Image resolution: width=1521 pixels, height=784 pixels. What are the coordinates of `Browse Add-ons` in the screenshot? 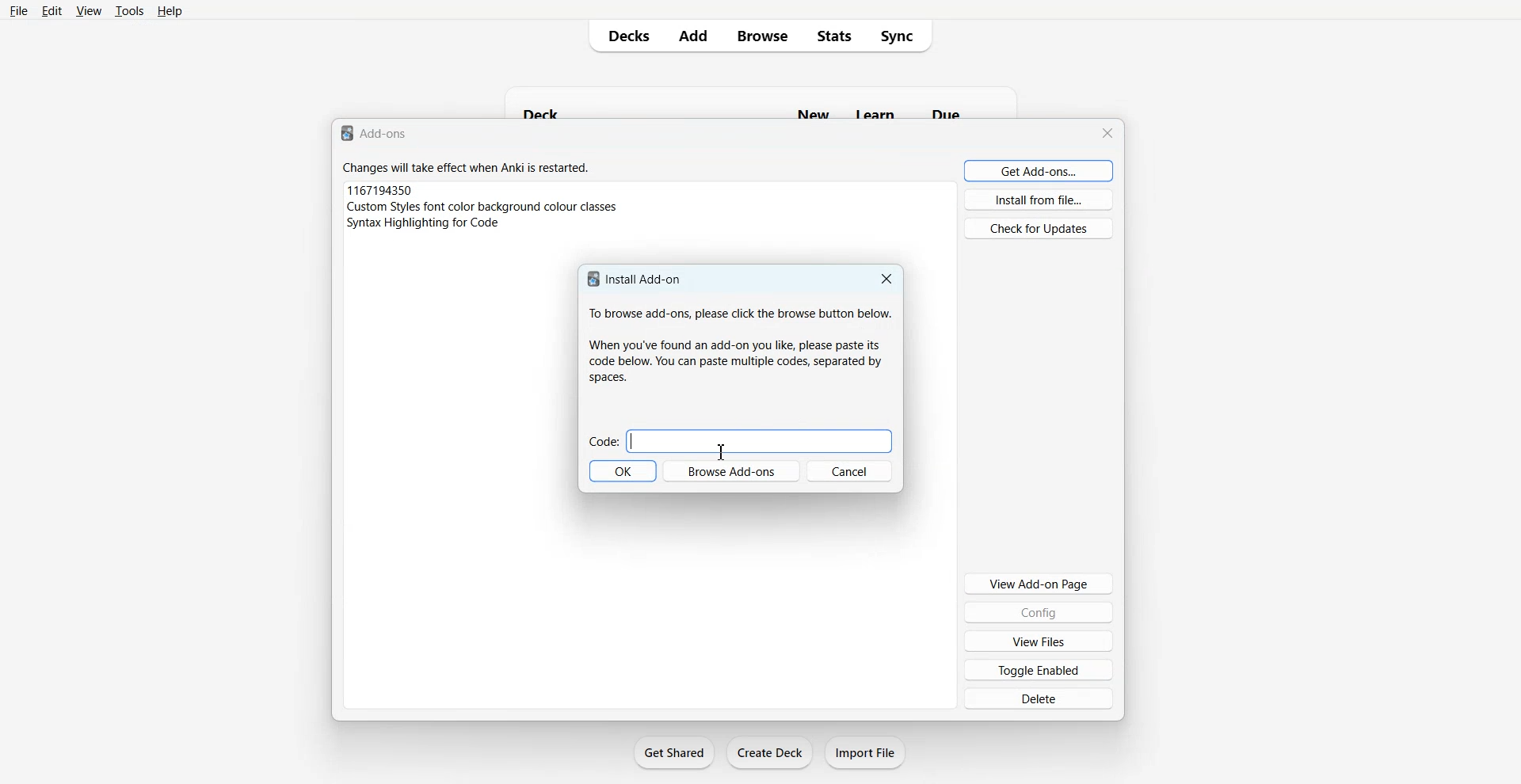 It's located at (732, 470).